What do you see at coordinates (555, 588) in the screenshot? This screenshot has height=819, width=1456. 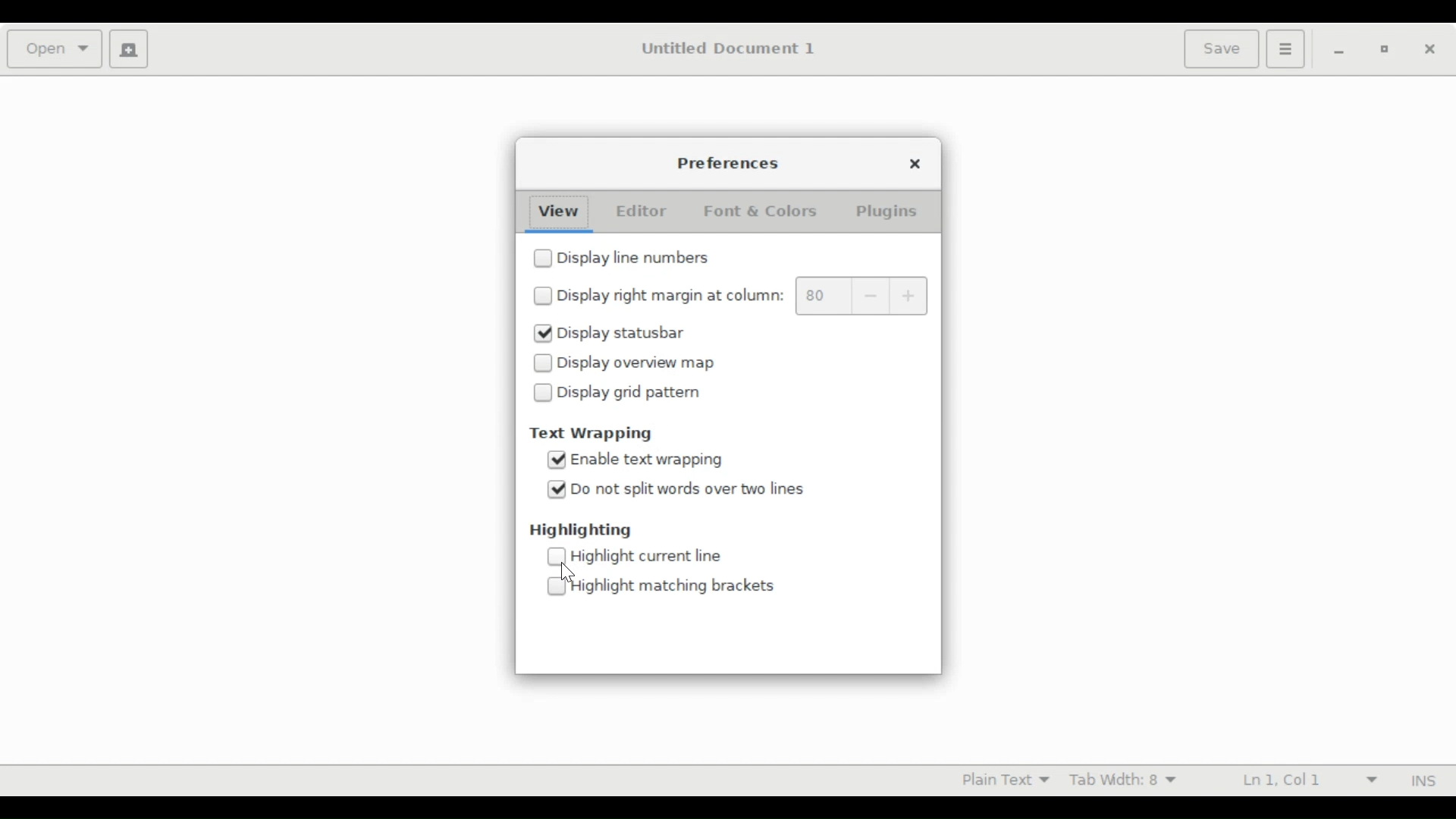 I see `checkbox` at bounding box center [555, 588].